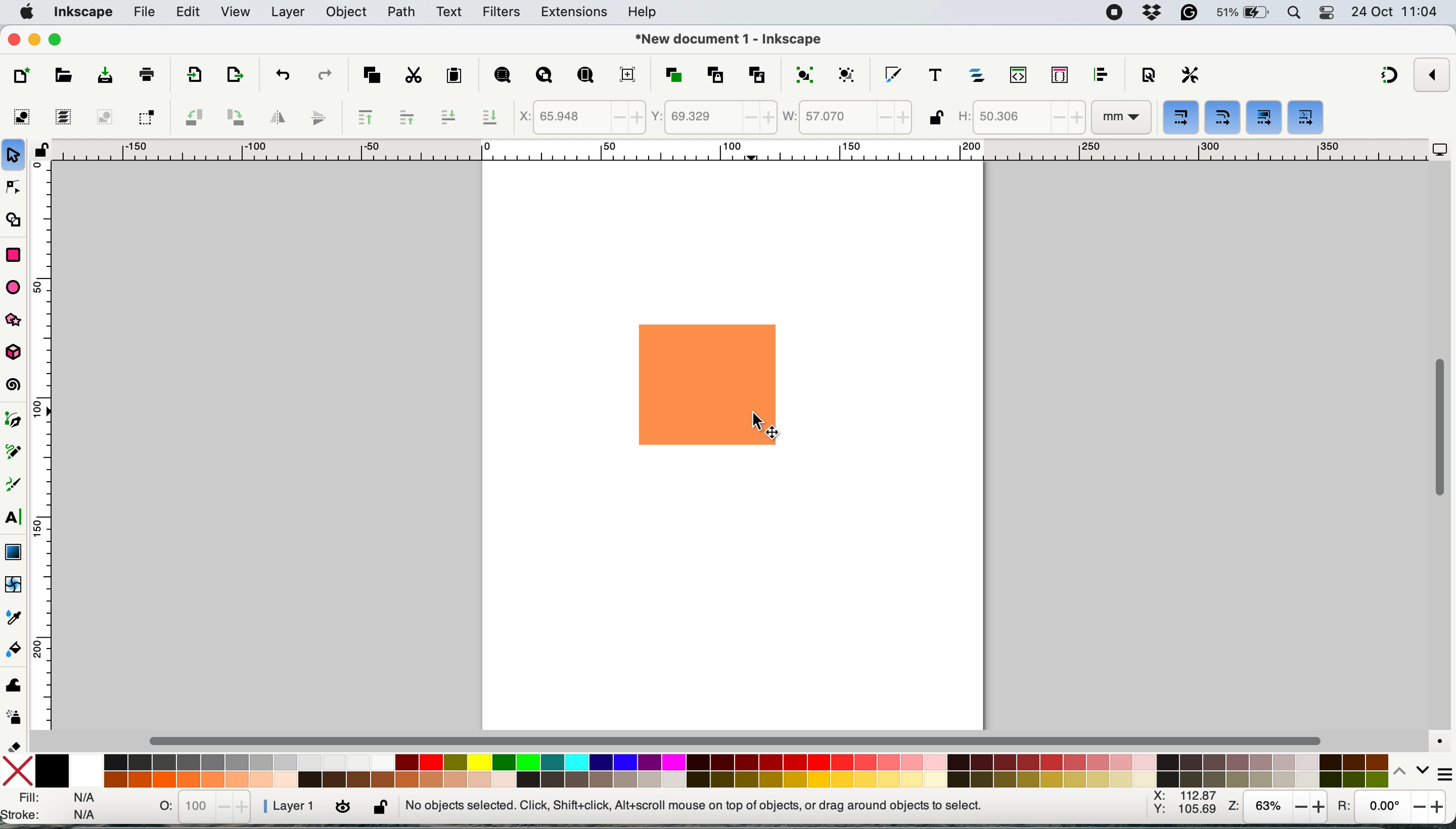 The height and width of the screenshot is (829, 1456). What do you see at coordinates (585, 76) in the screenshot?
I see `zoom page` at bounding box center [585, 76].